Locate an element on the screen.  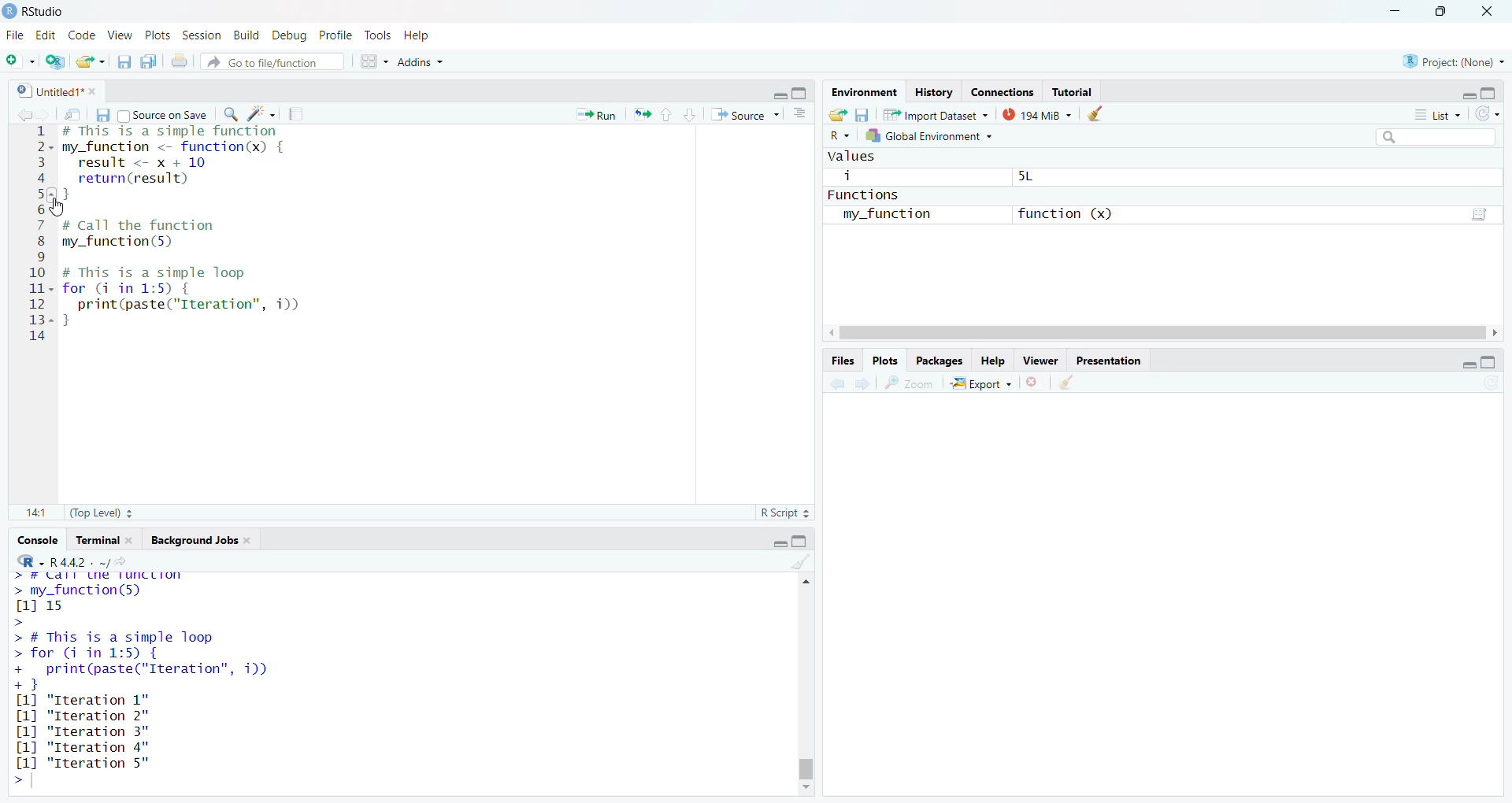
go to previous section/chunk is located at coordinates (669, 113).